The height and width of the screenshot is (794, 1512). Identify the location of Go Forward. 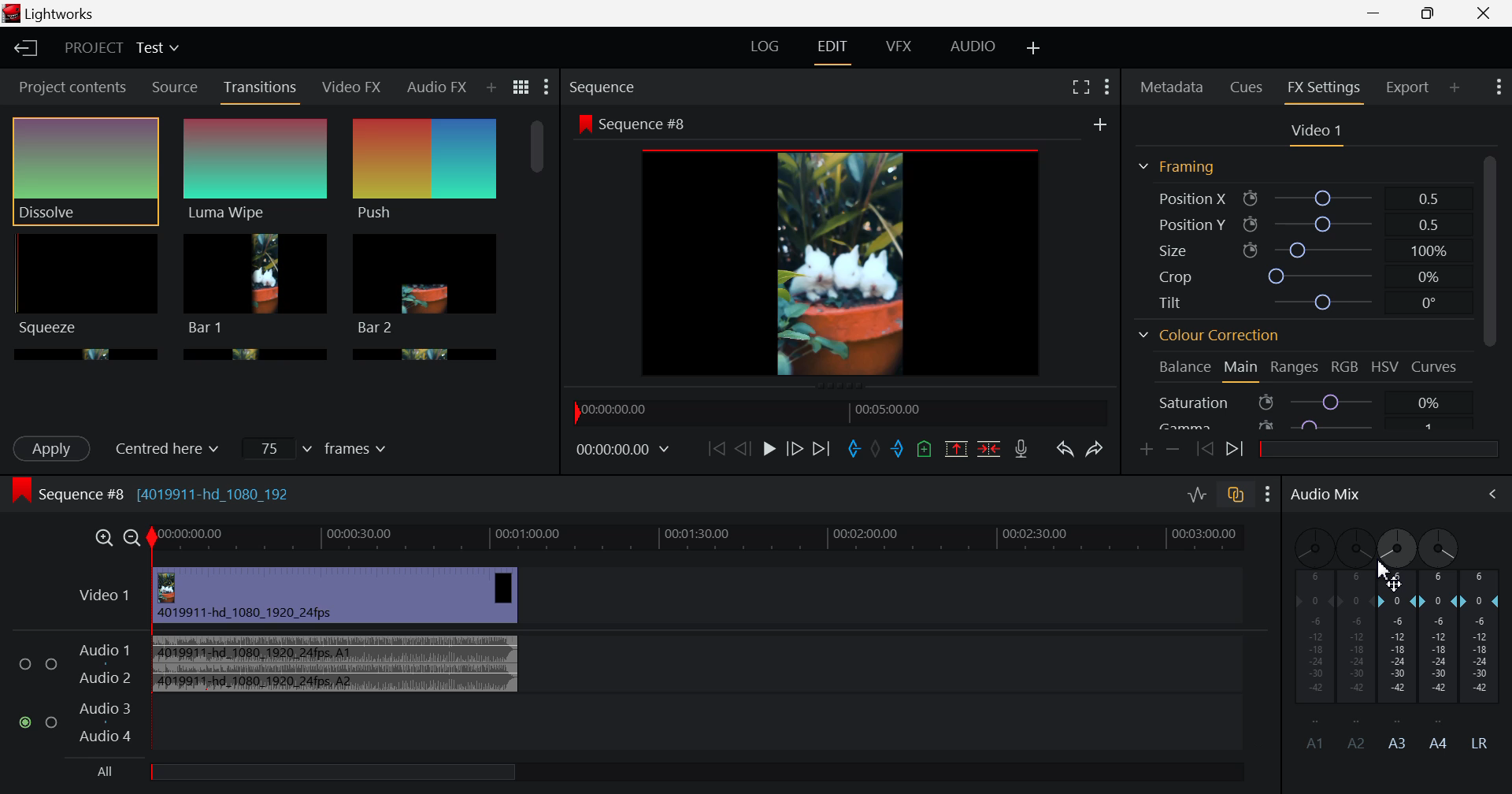
(795, 448).